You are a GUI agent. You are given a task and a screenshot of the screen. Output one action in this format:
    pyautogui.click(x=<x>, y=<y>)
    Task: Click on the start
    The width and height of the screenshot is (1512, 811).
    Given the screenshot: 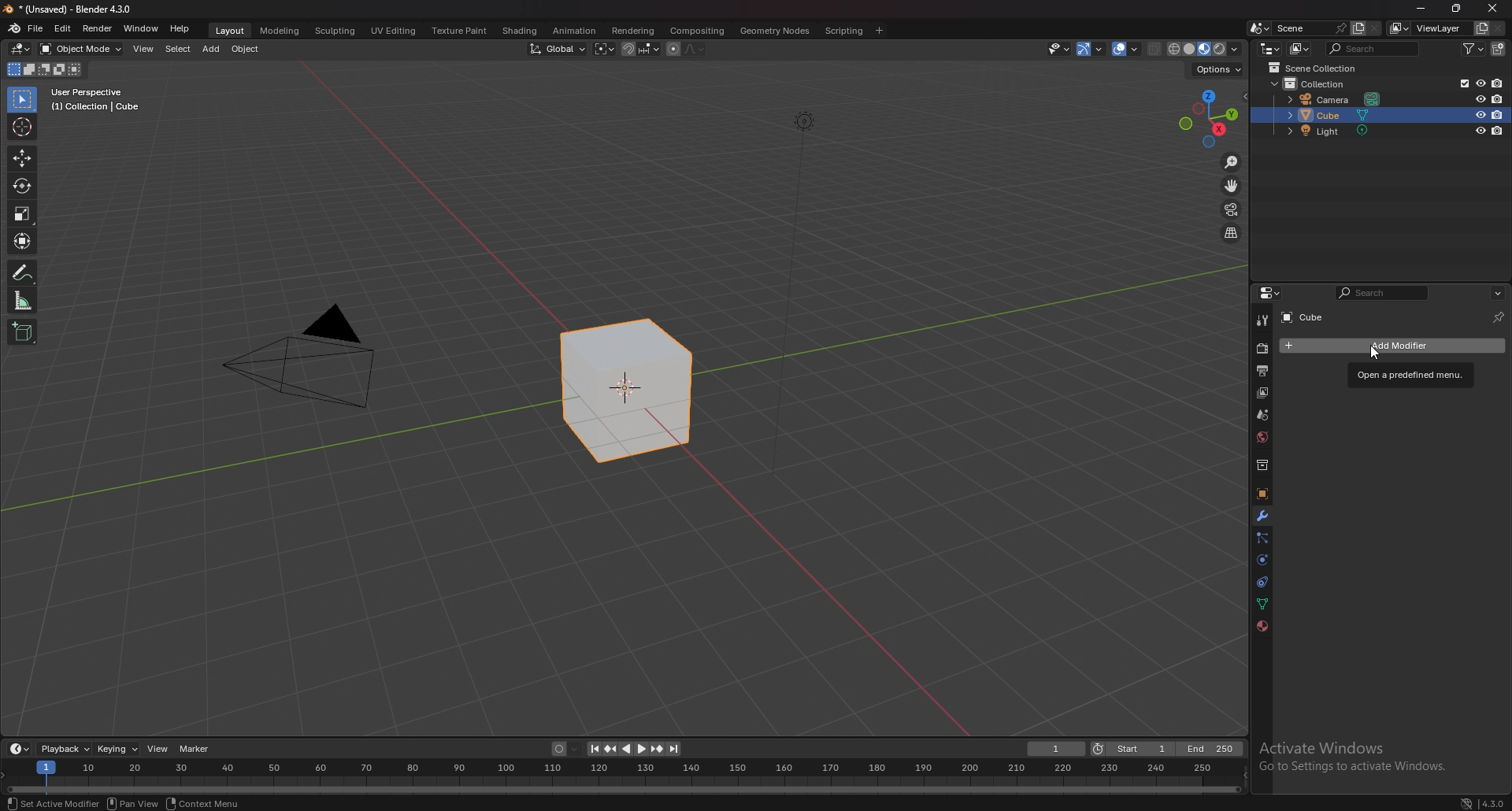 What is the action you would take?
    pyautogui.click(x=1132, y=749)
    